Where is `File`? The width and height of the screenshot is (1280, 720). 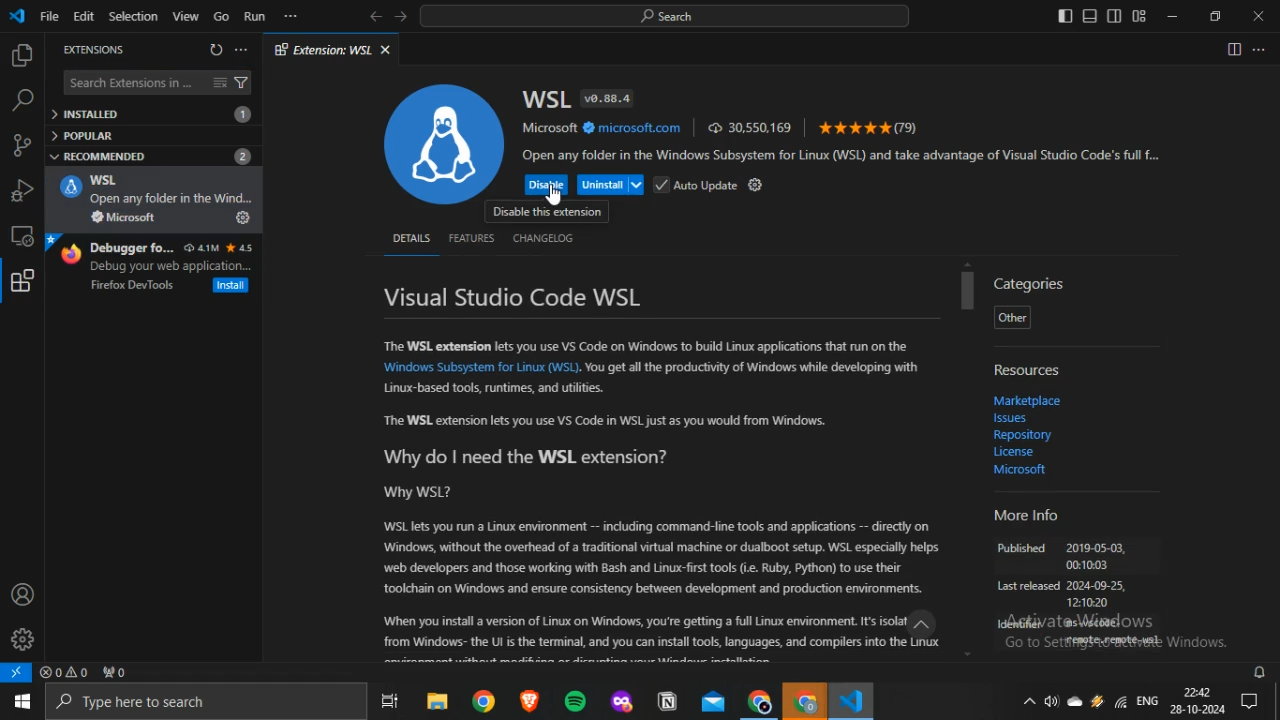 File is located at coordinates (49, 16).